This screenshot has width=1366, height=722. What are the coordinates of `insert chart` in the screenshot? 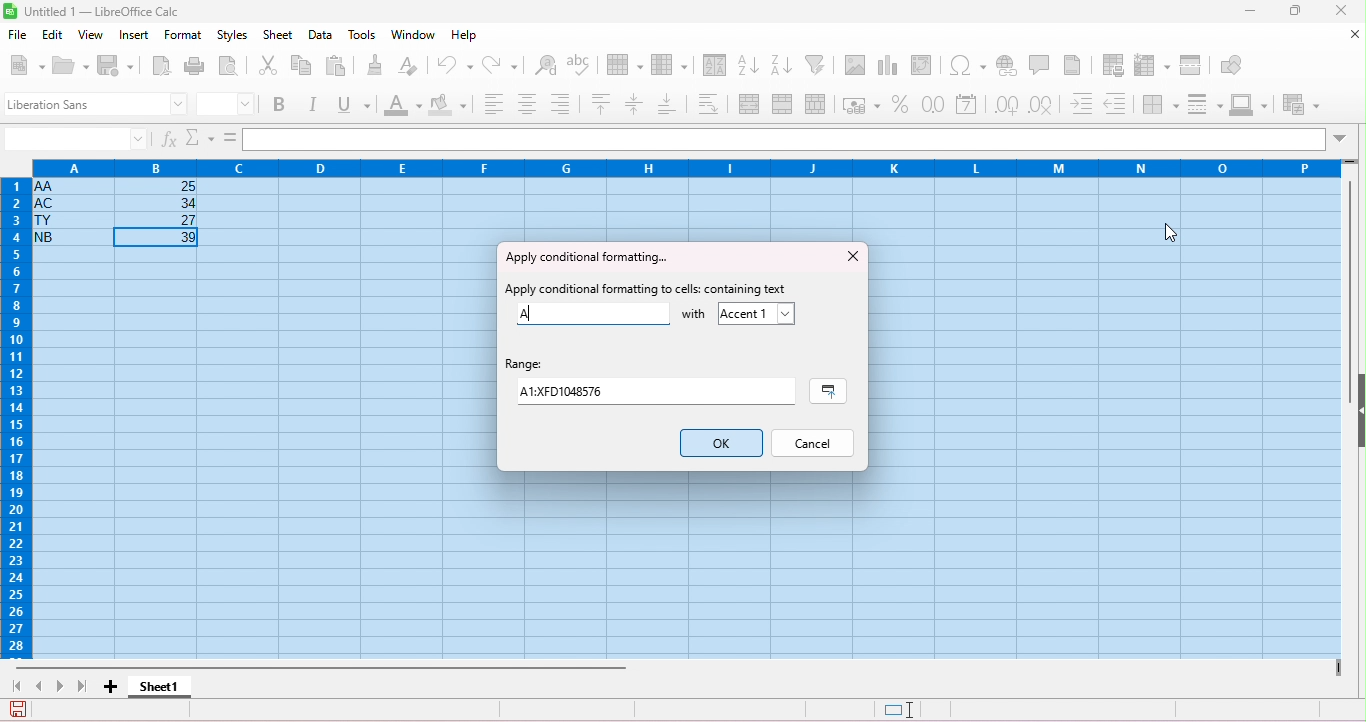 It's located at (890, 64).